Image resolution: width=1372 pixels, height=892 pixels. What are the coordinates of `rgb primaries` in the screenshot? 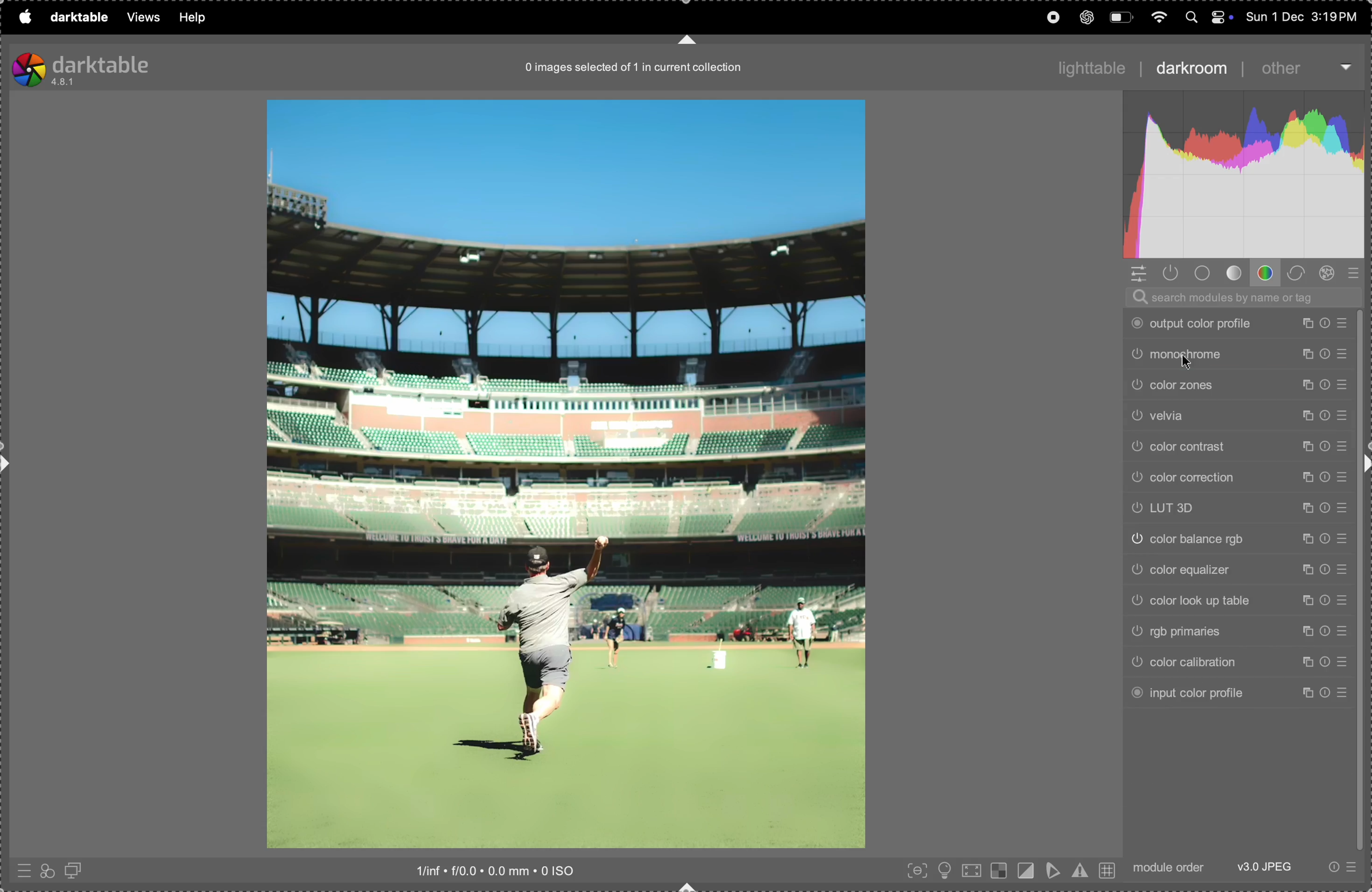 It's located at (1245, 632).